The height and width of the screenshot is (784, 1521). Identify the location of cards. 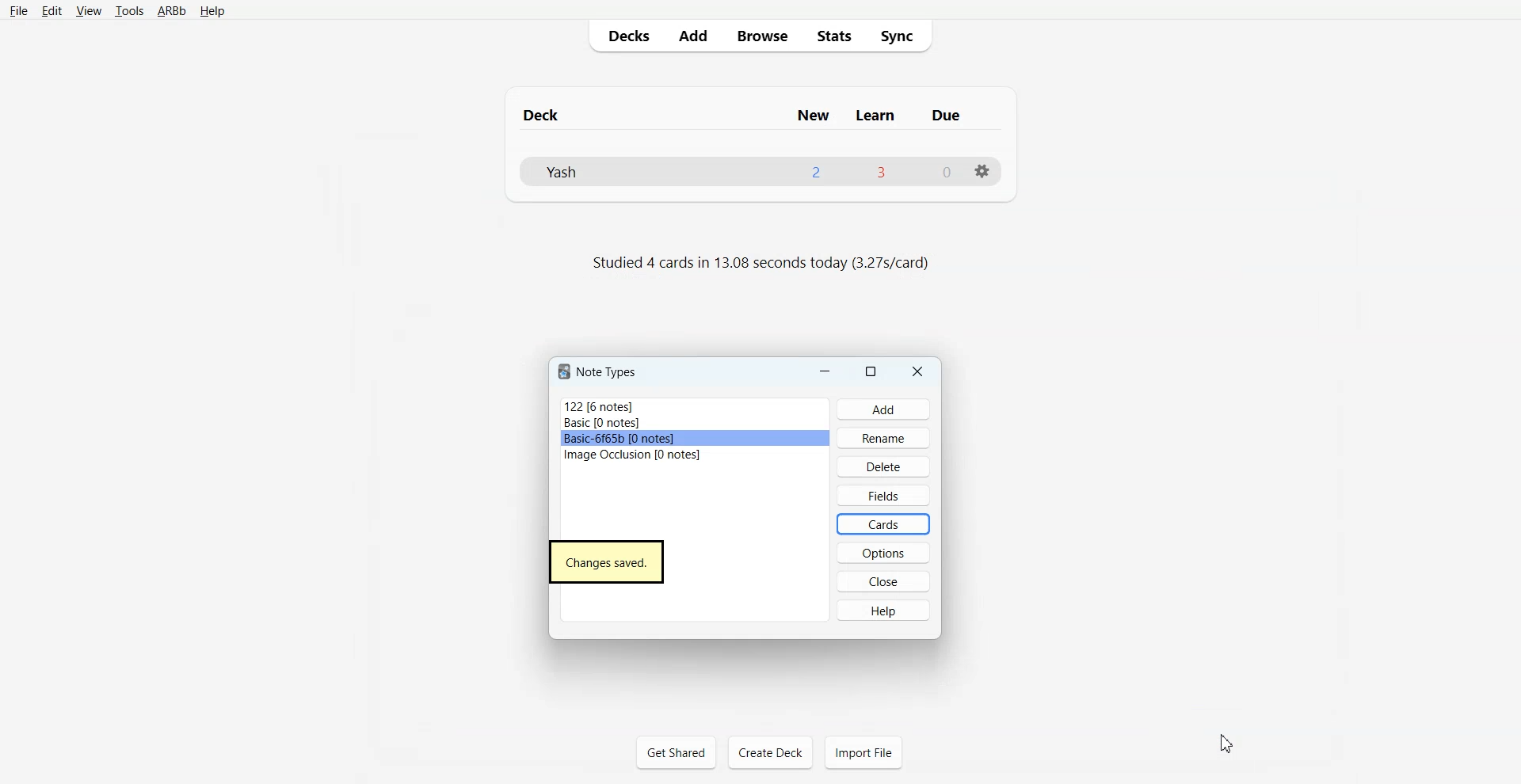
(891, 524).